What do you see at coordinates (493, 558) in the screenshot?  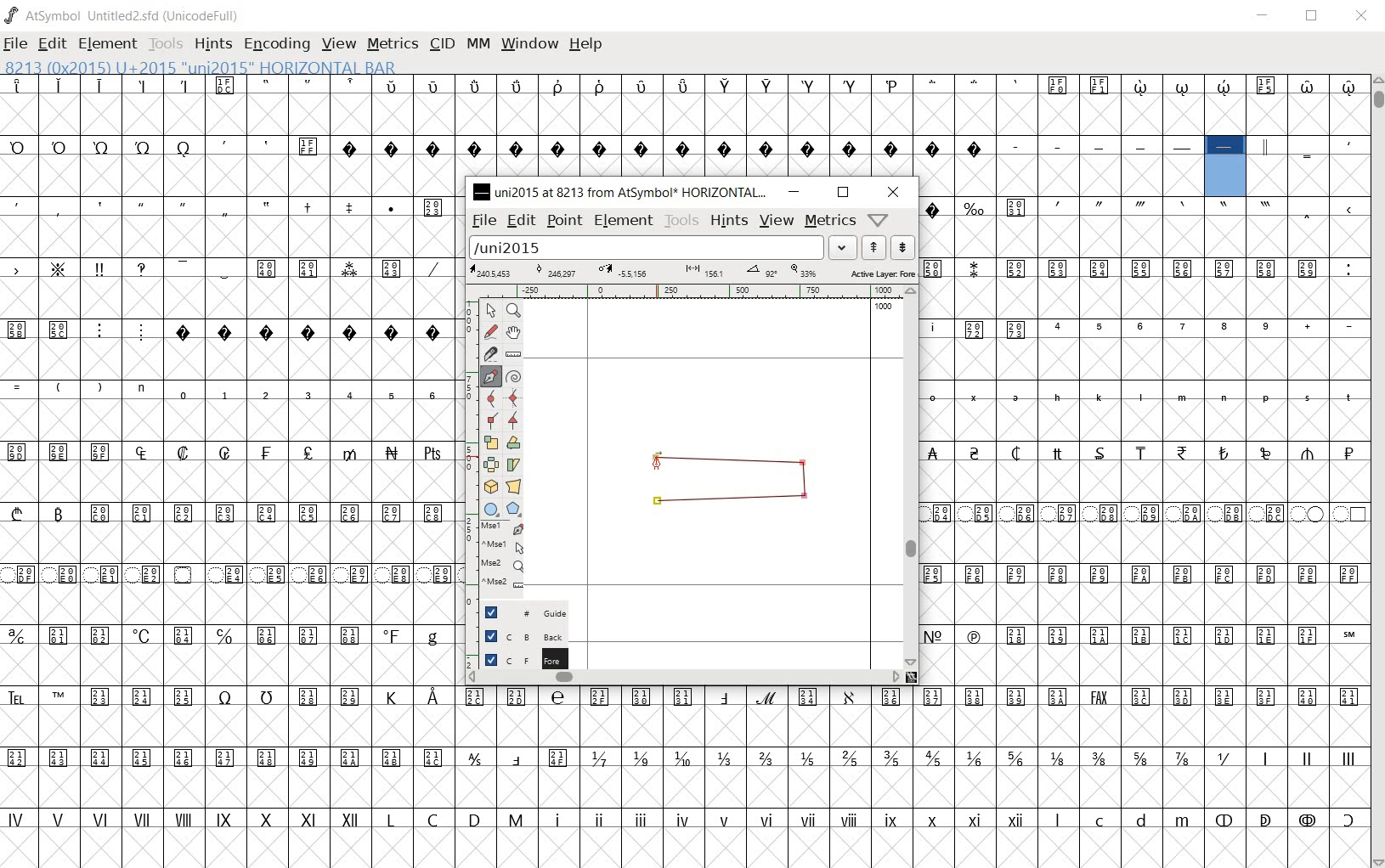 I see `mse1 mse1 mse2 mse2` at bounding box center [493, 558].